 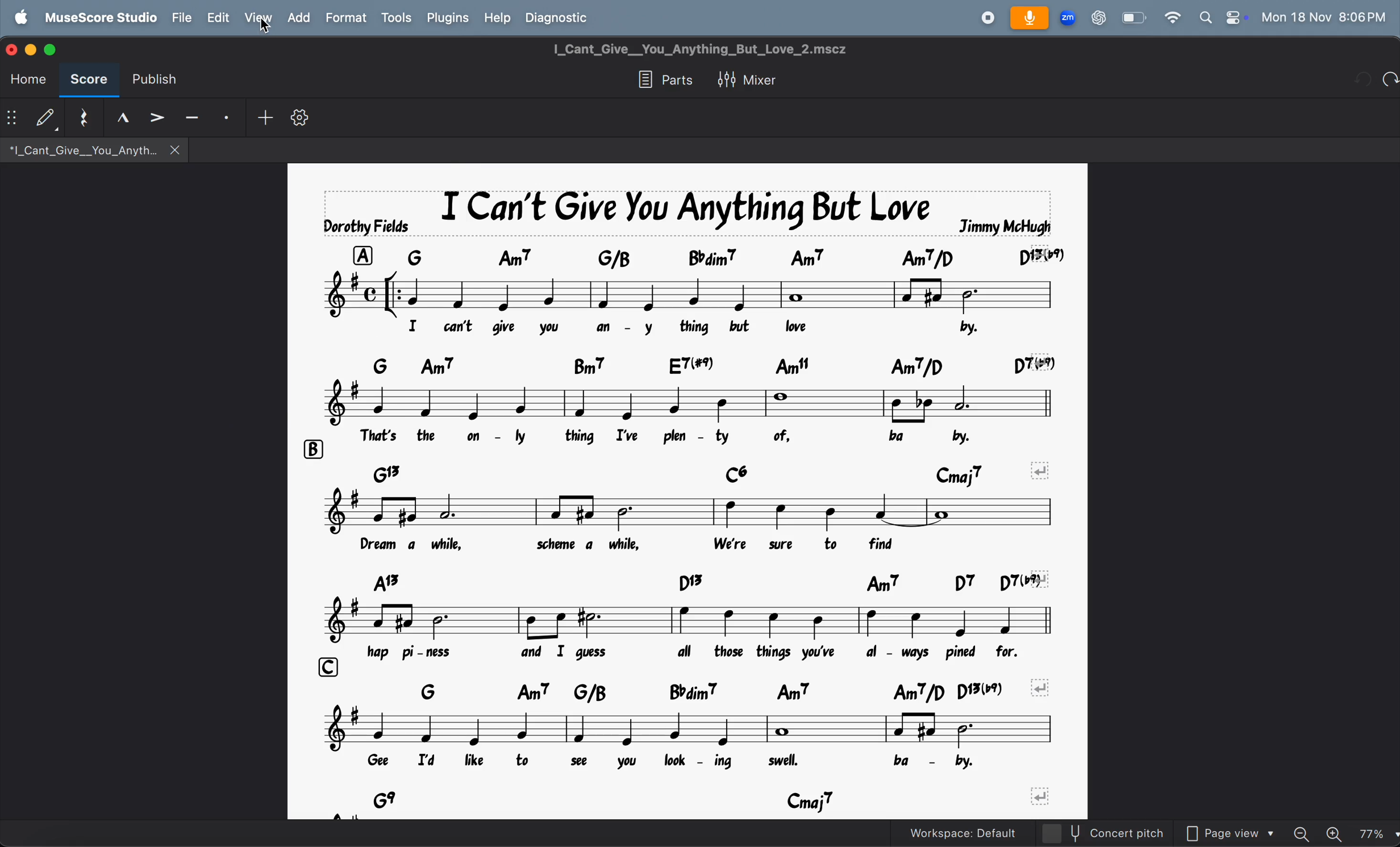 I want to click on parts, so click(x=663, y=80).